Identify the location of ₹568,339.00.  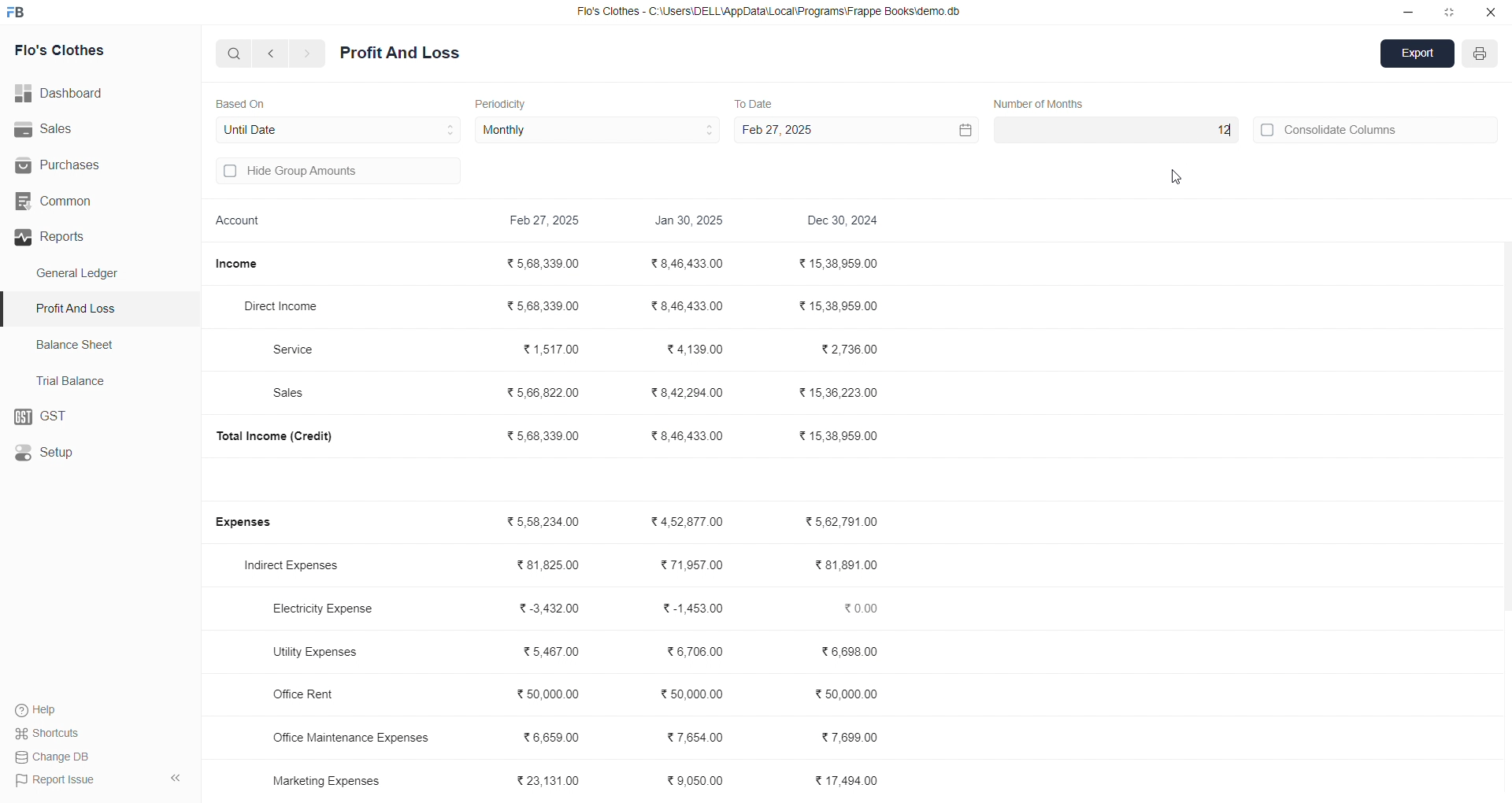
(547, 265).